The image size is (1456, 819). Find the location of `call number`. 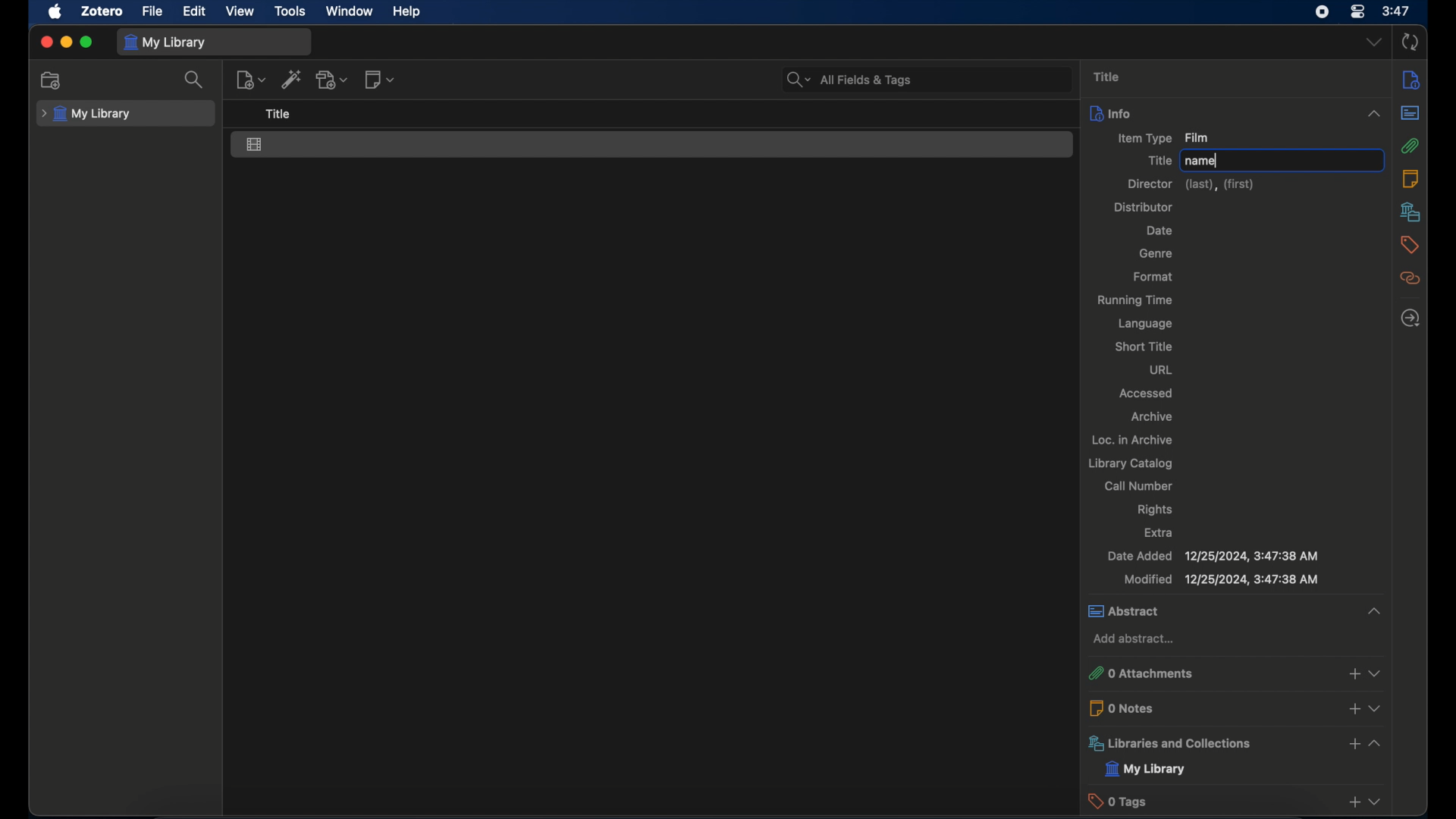

call number is located at coordinates (1141, 485).